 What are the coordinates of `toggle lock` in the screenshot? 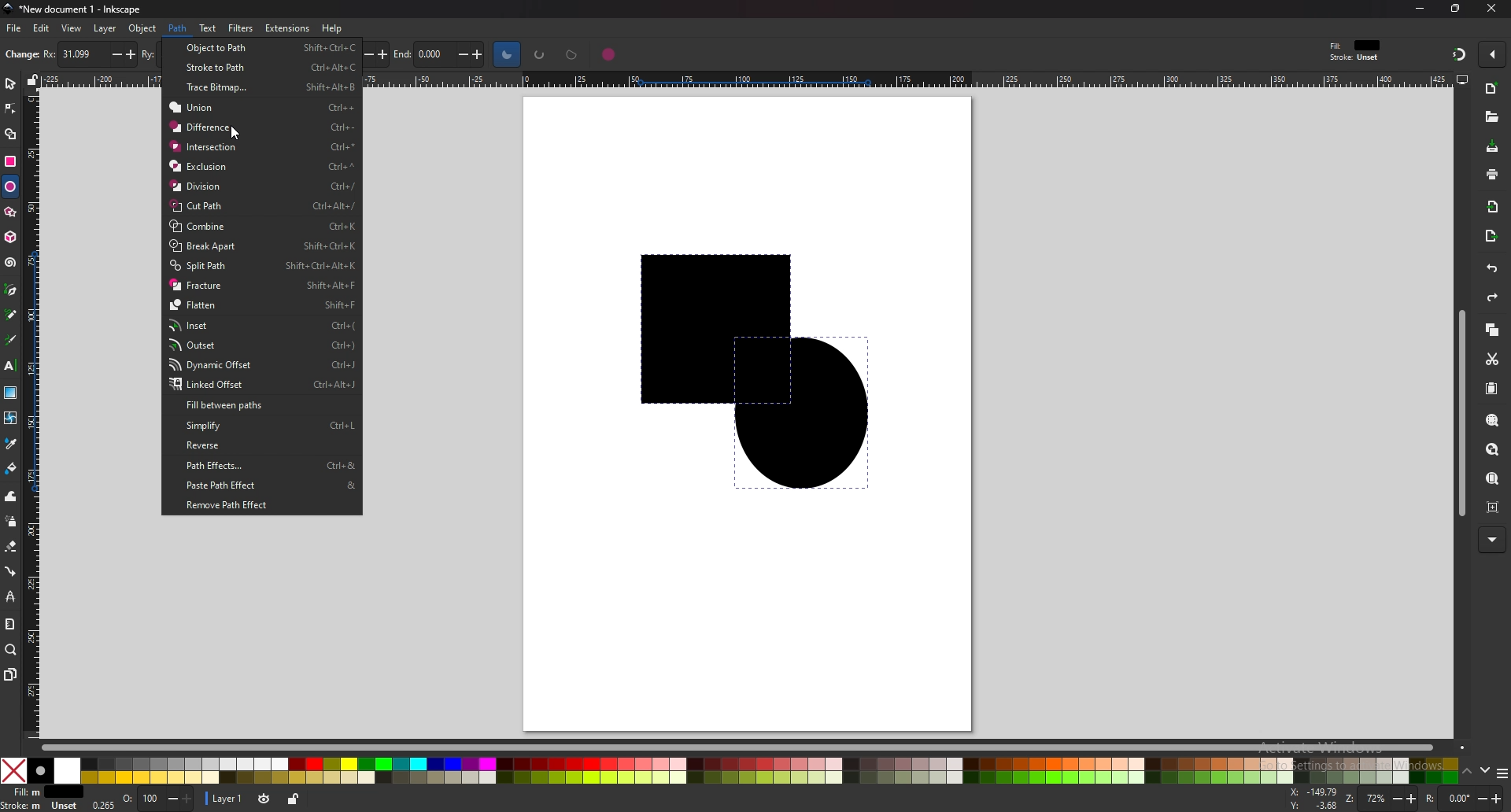 It's located at (291, 799).